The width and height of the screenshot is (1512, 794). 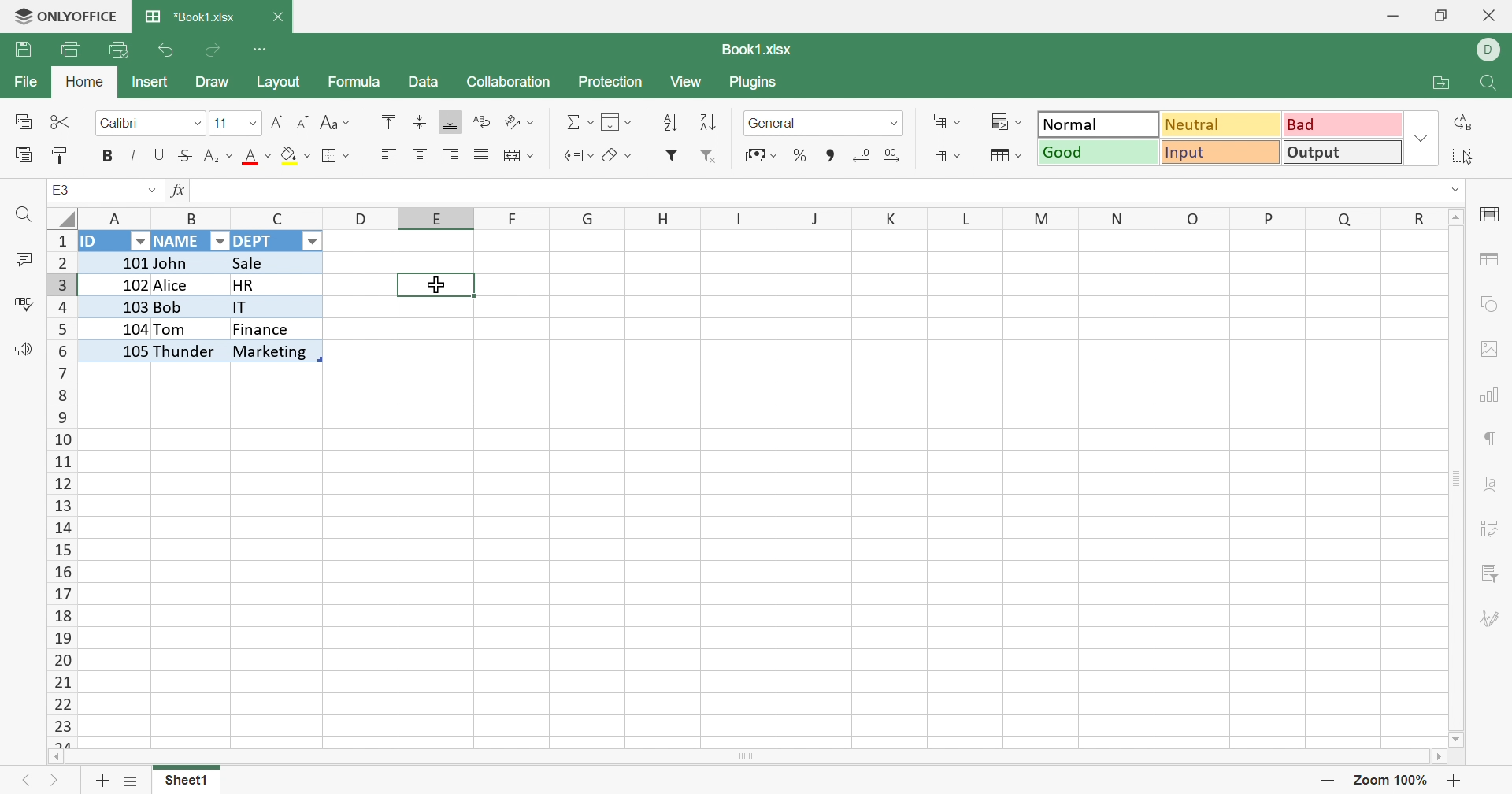 What do you see at coordinates (828, 155) in the screenshot?
I see `Comma style` at bounding box center [828, 155].